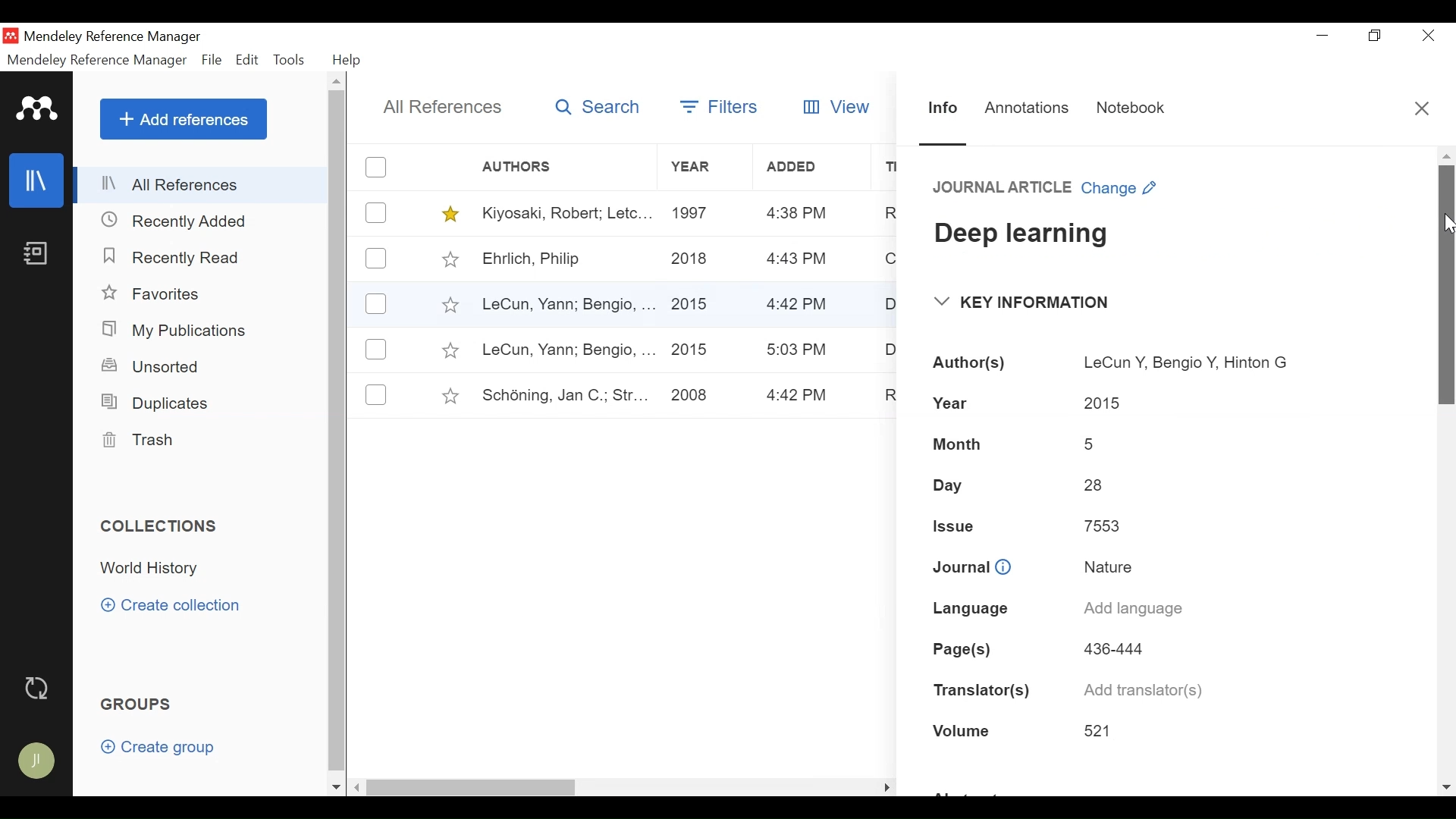 This screenshot has height=819, width=1456. I want to click on 436444, so click(1114, 648).